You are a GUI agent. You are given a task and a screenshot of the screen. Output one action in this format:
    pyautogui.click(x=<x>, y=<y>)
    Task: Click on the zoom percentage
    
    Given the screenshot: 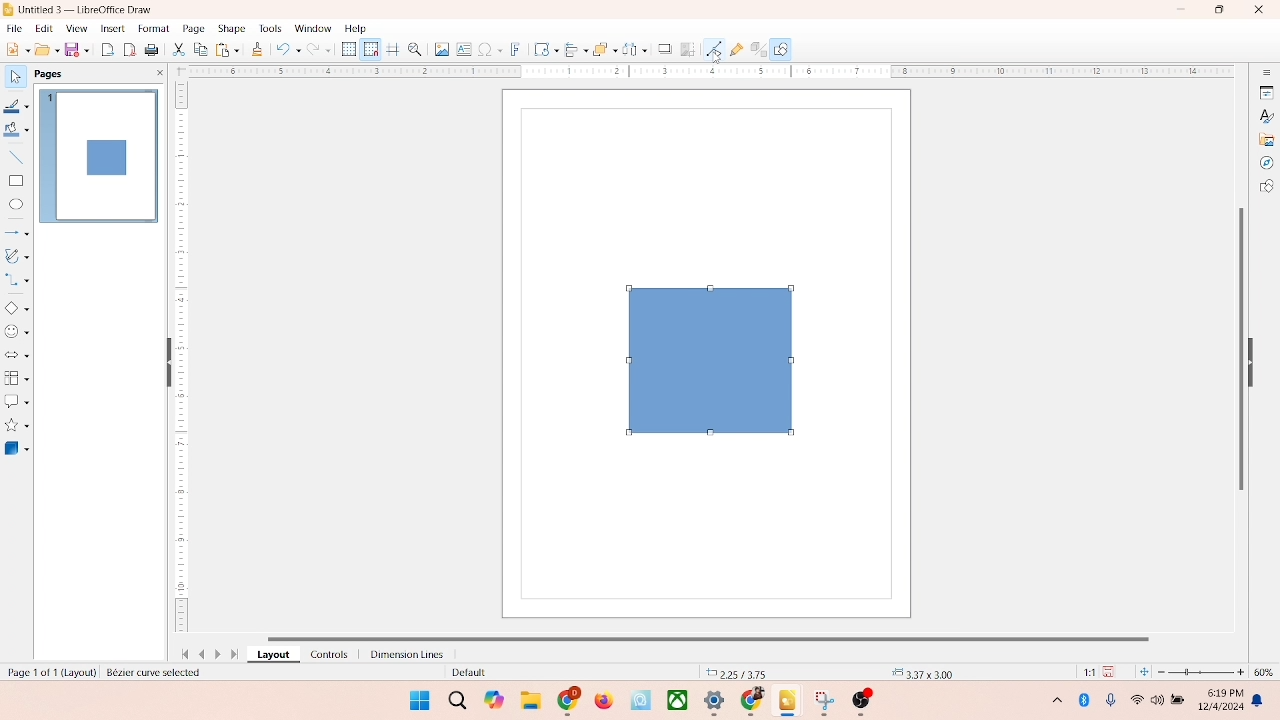 What is the action you would take?
    pyautogui.click(x=1267, y=672)
    